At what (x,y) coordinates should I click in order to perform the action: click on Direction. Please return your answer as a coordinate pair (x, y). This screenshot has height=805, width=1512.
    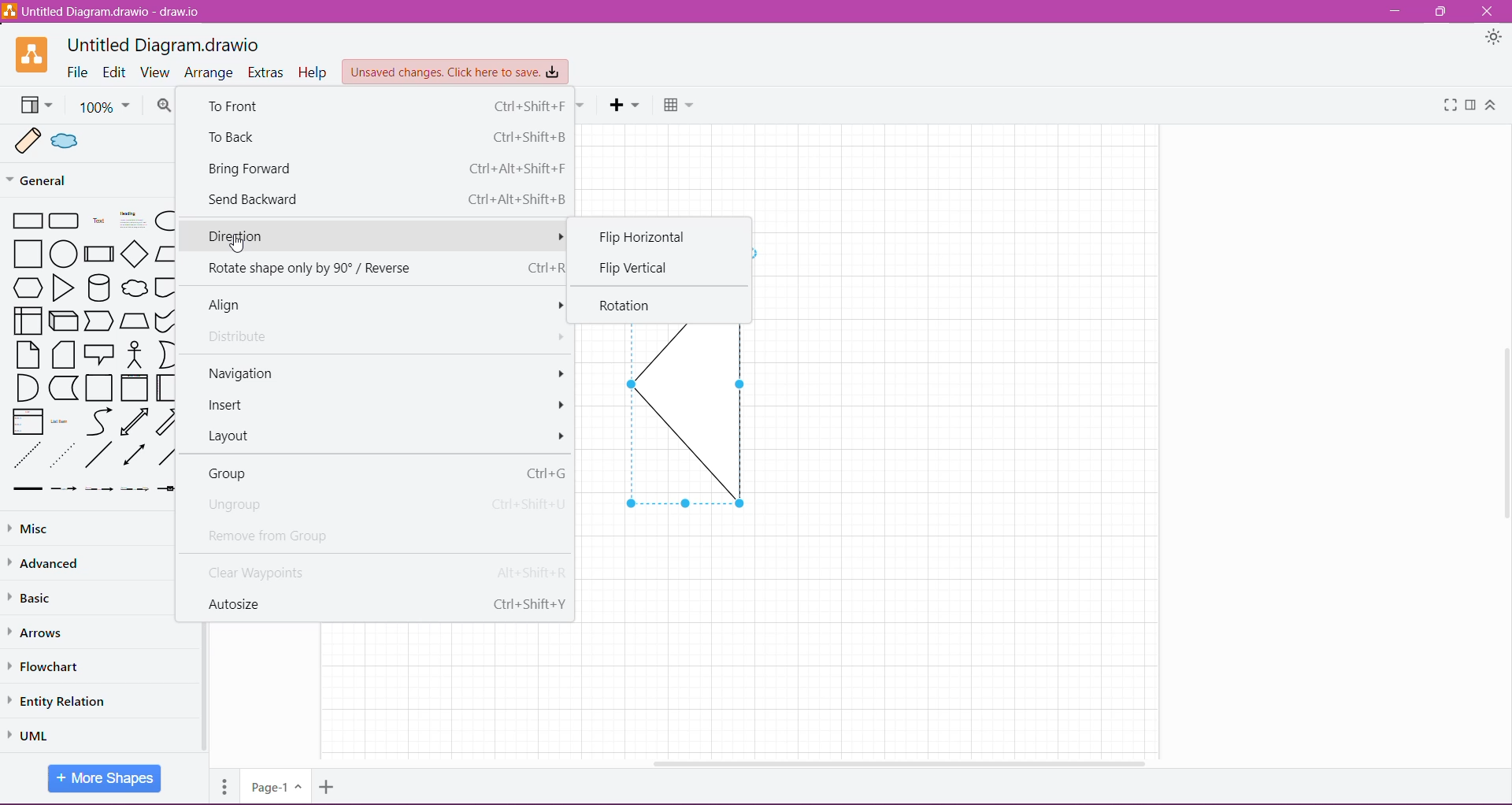
    Looking at the image, I should click on (374, 232).